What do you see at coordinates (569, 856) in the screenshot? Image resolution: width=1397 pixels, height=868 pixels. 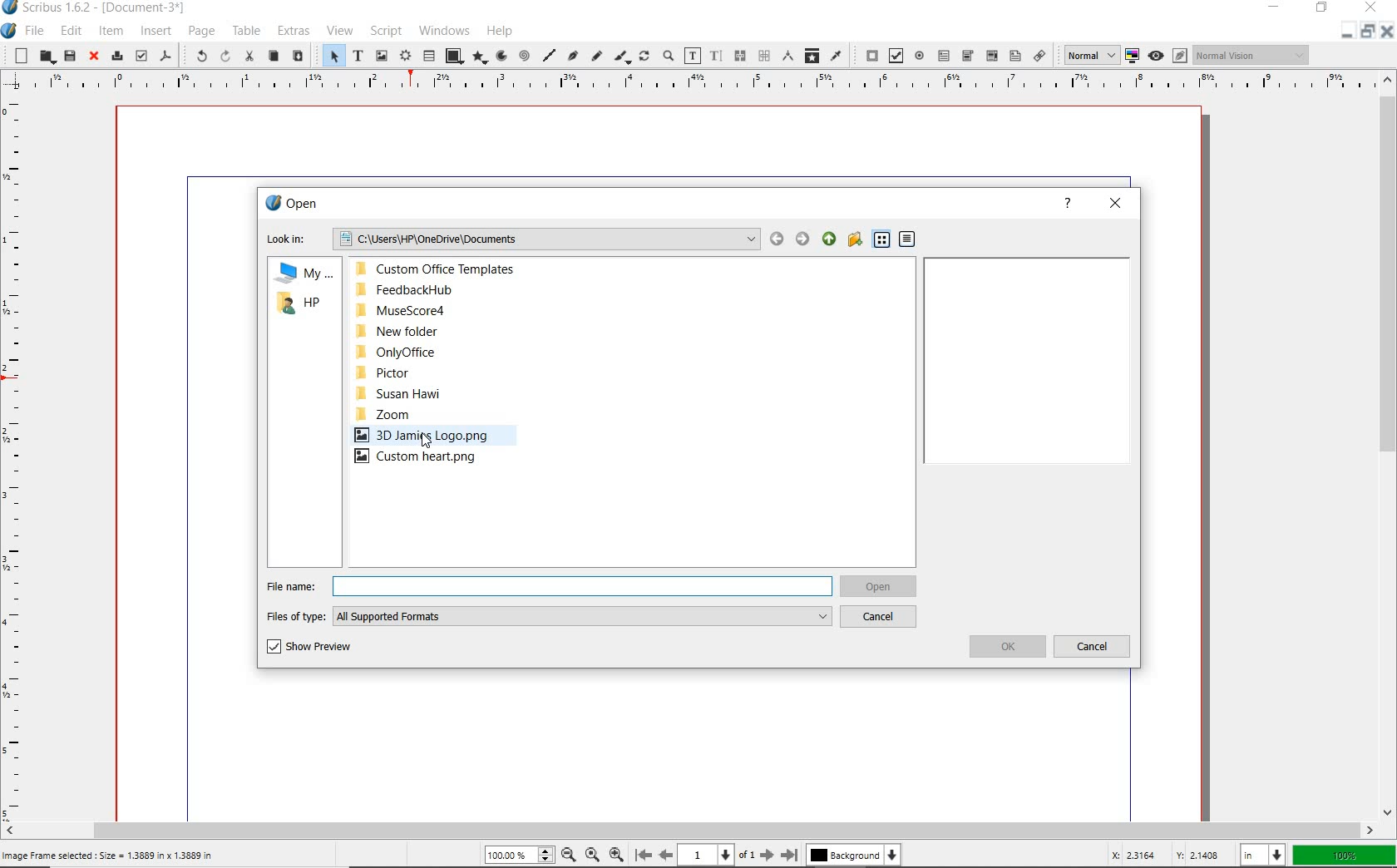 I see `zoom out` at bounding box center [569, 856].